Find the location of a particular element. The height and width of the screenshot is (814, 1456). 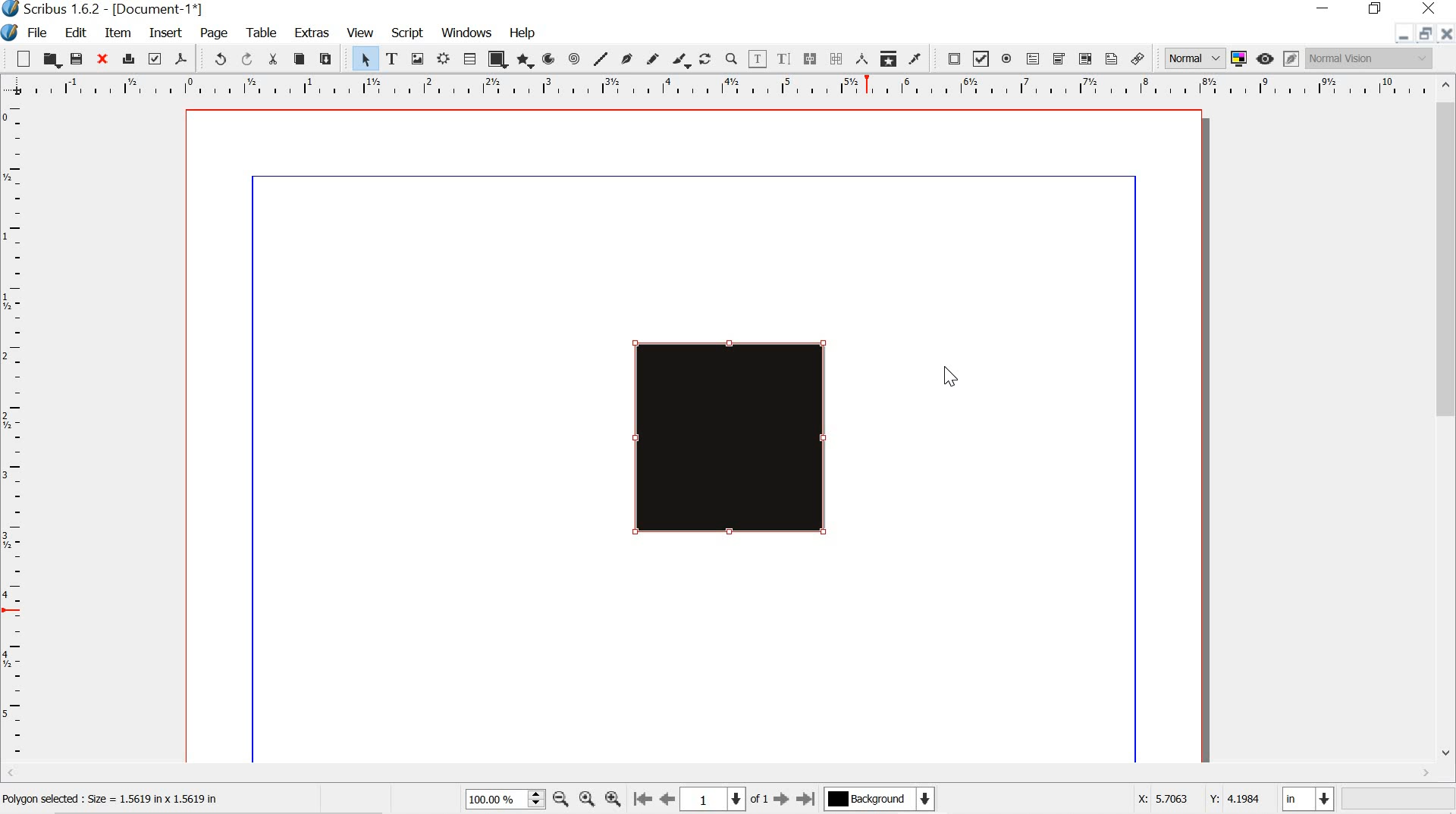

go to first page is located at coordinates (644, 801).